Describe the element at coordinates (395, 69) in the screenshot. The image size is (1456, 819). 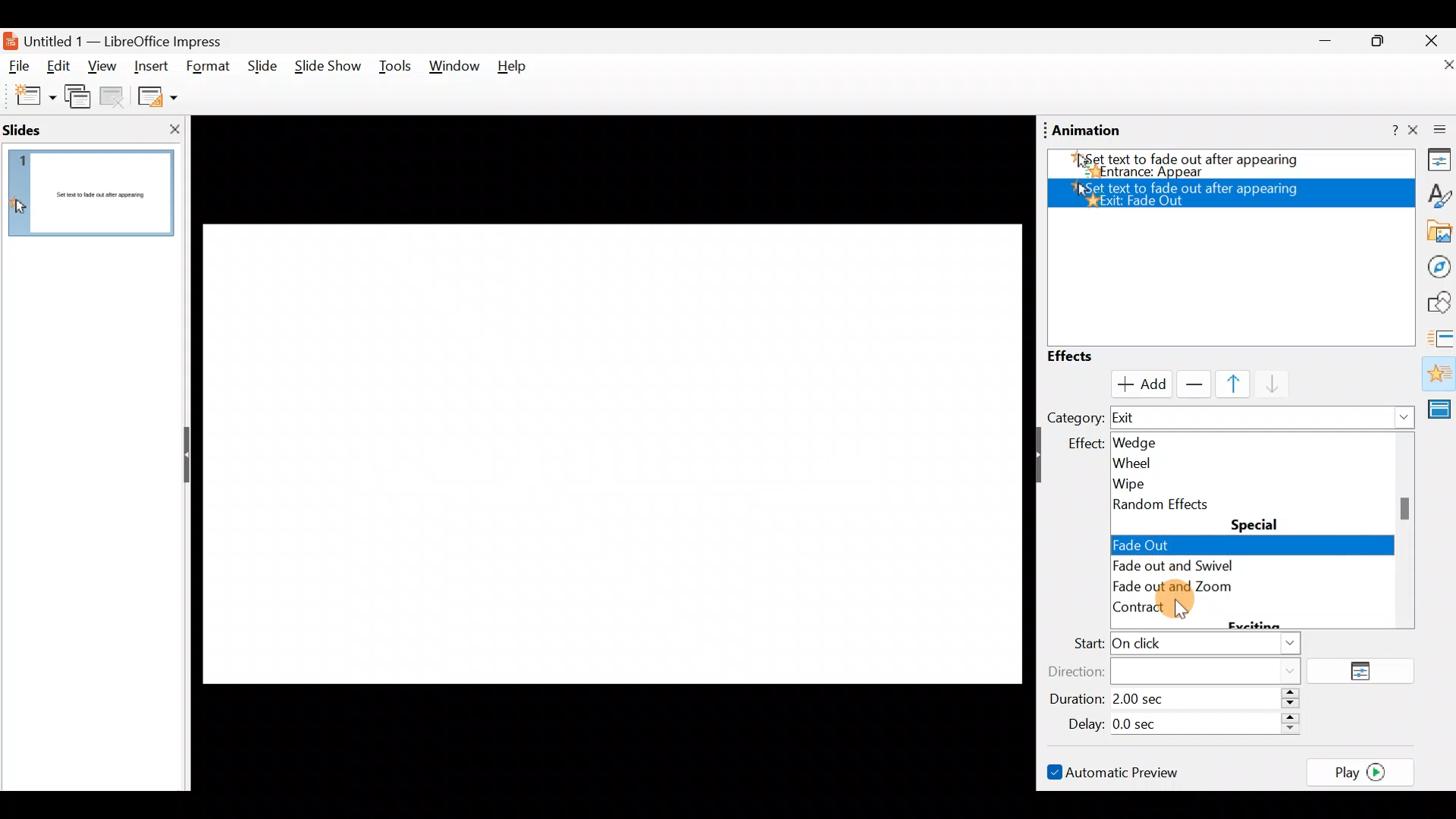
I see `Tools` at that location.